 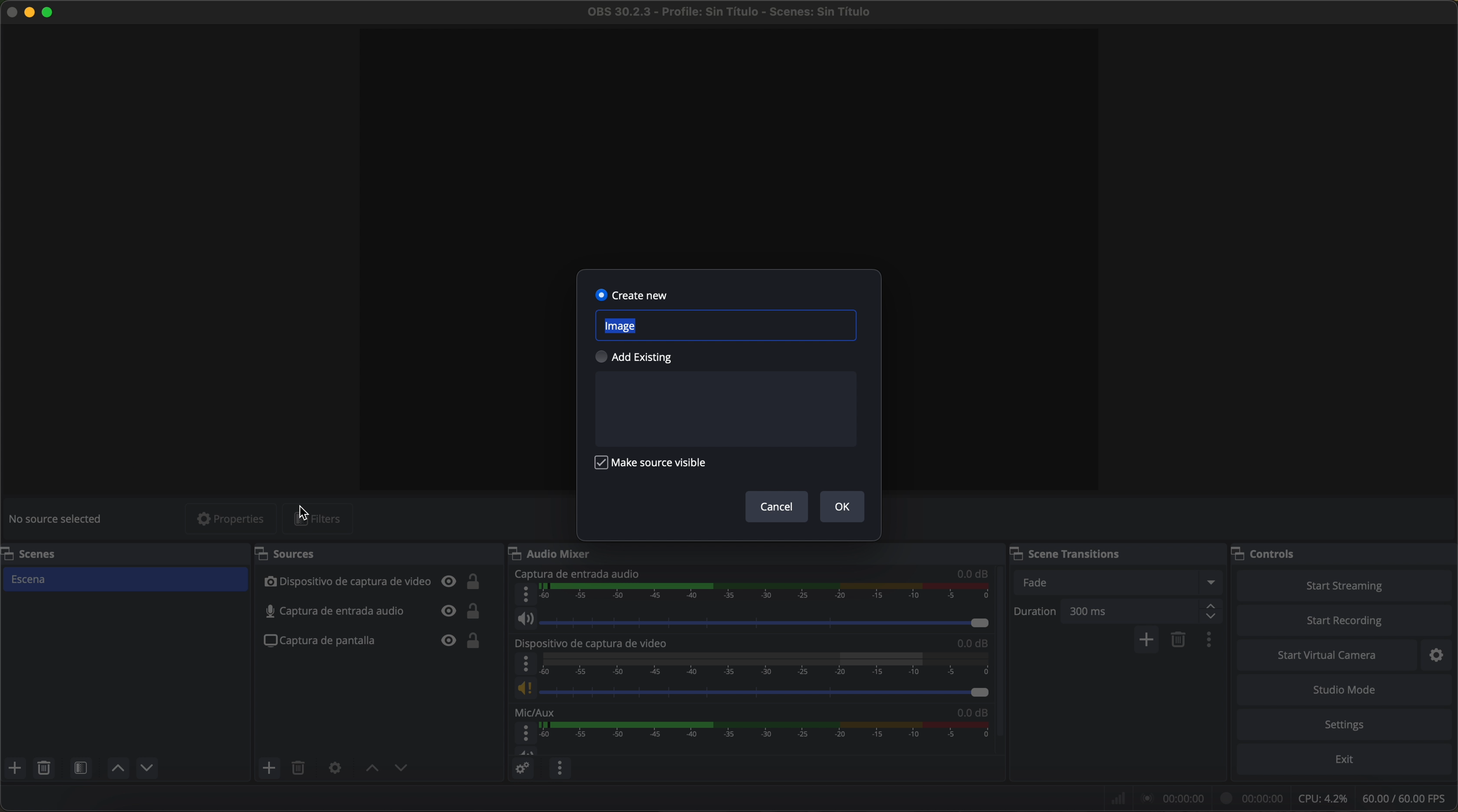 I want to click on advanced audio properties, so click(x=522, y=768).